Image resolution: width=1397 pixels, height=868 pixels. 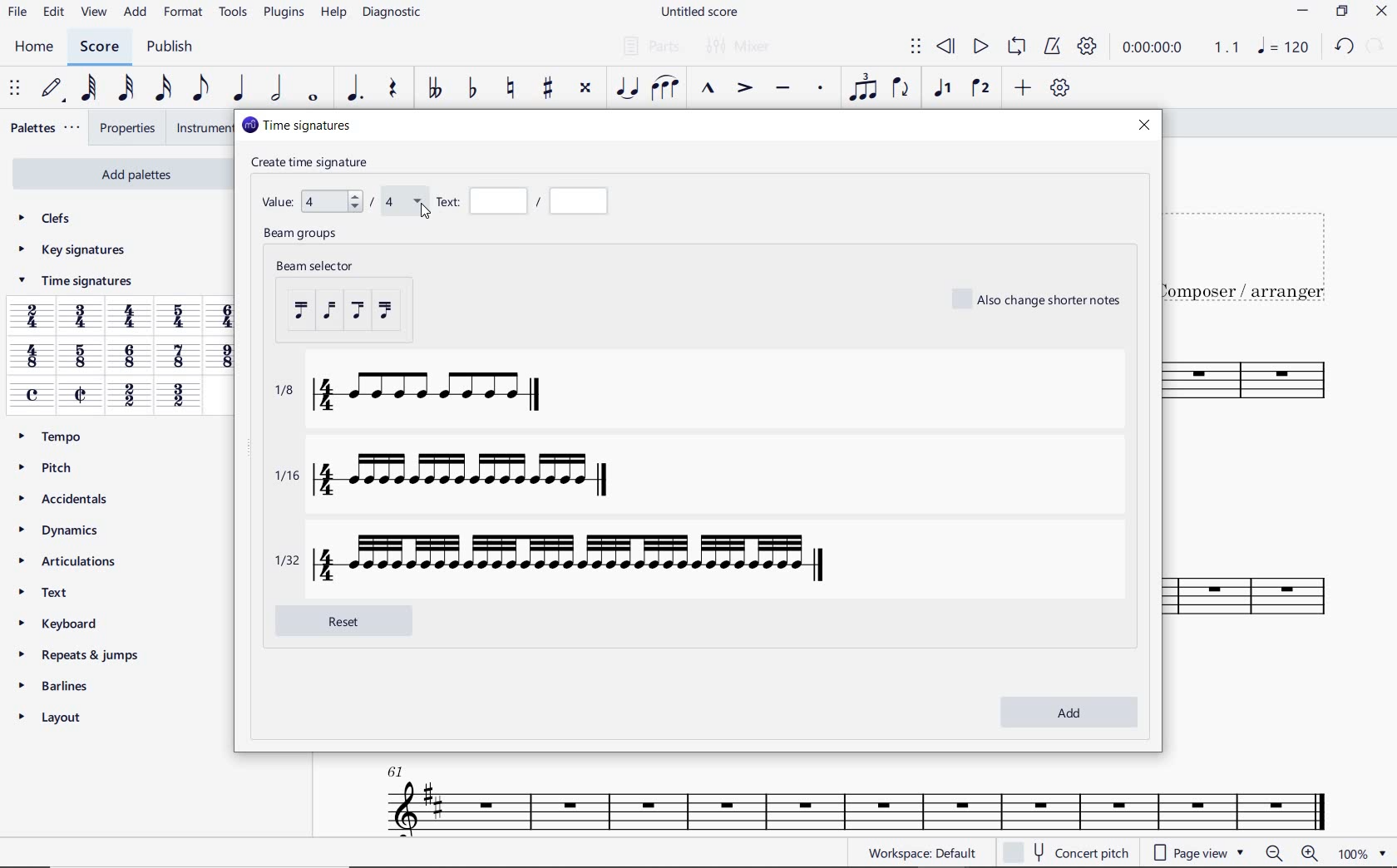 I want to click on REPEATS & JUMPS, so click(x=81, y=651).